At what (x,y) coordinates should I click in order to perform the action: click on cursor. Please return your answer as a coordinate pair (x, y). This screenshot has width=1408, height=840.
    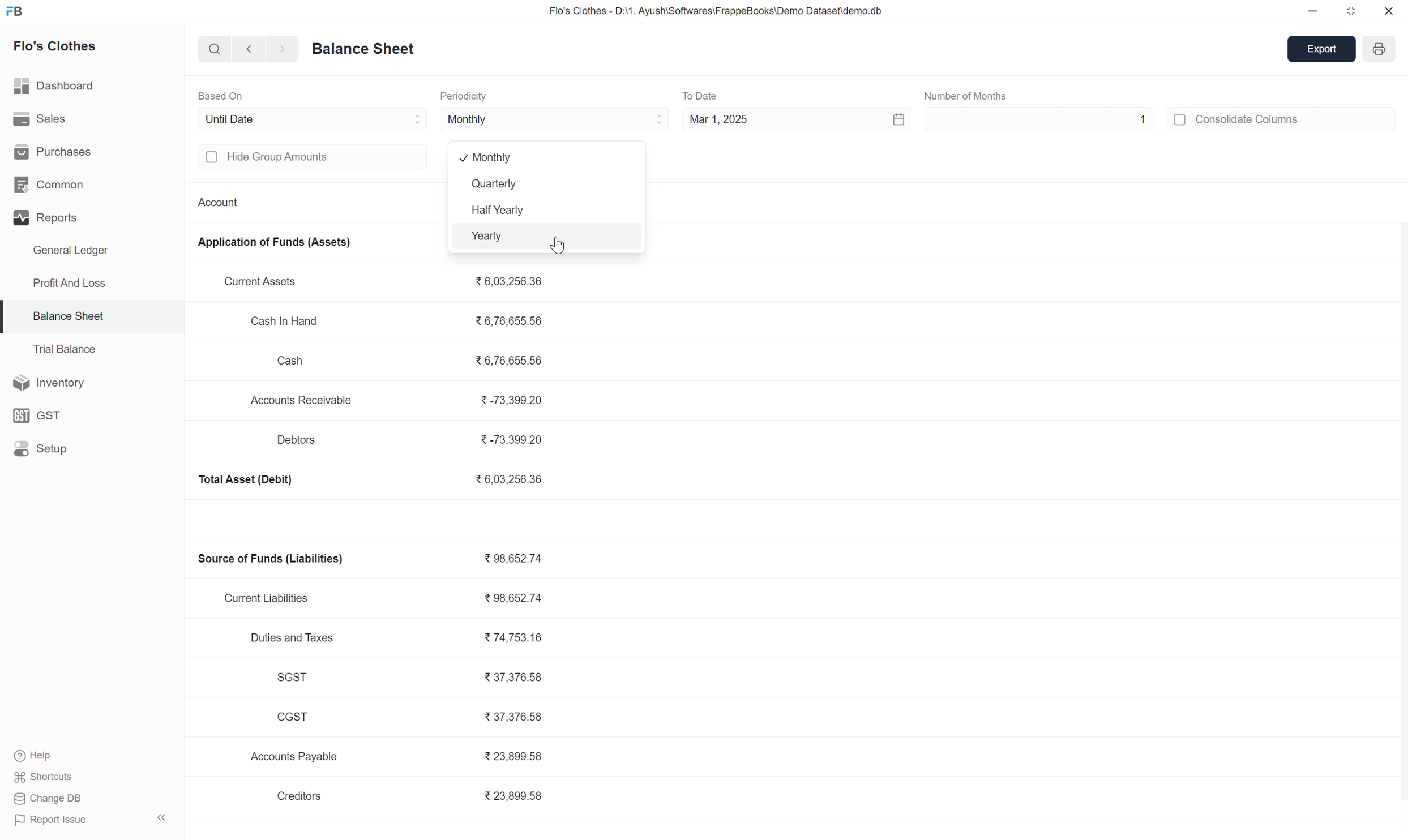
    Looking at the image, I should click on (559, 245).